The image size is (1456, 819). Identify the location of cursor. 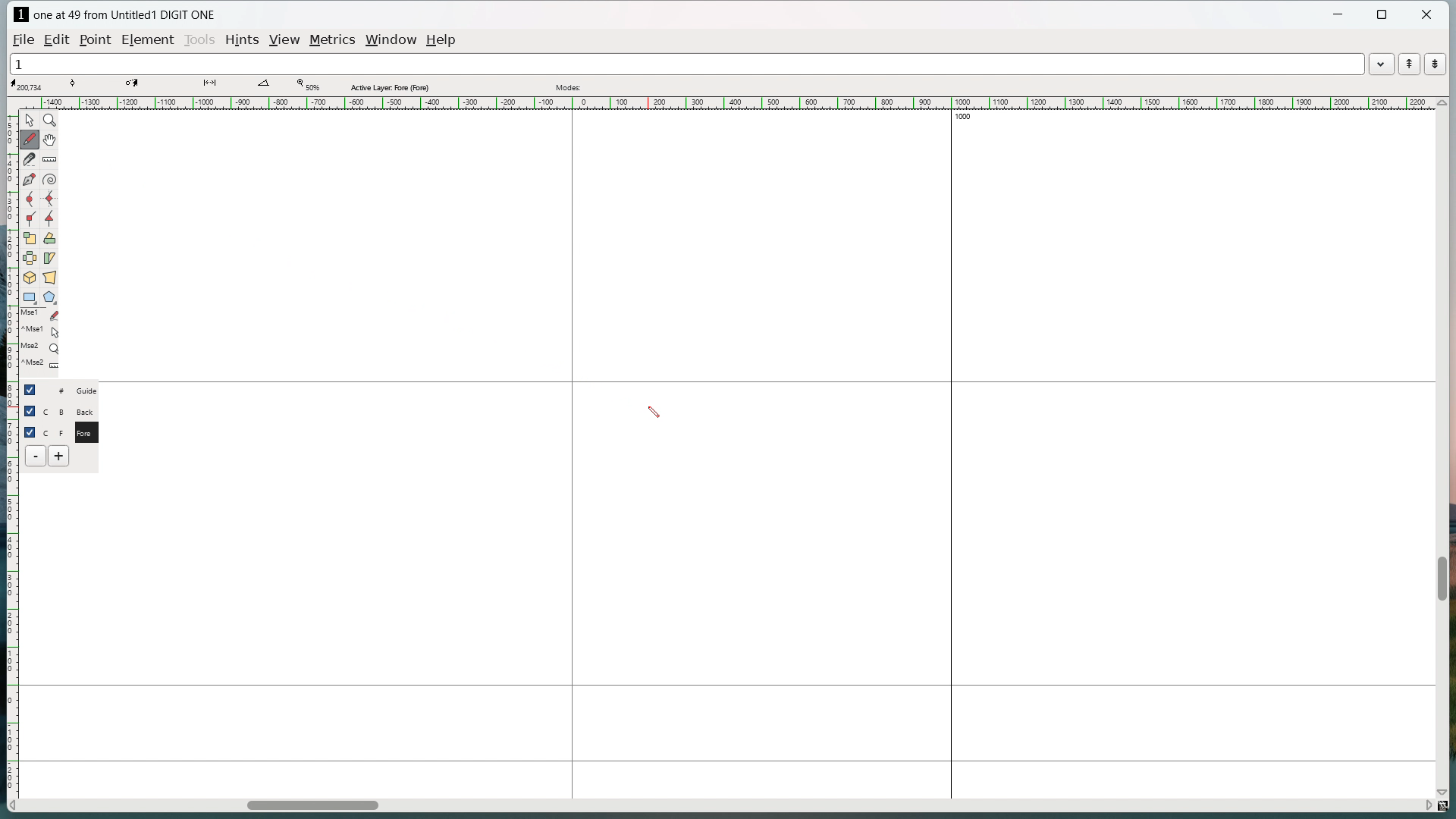
(654, 411).